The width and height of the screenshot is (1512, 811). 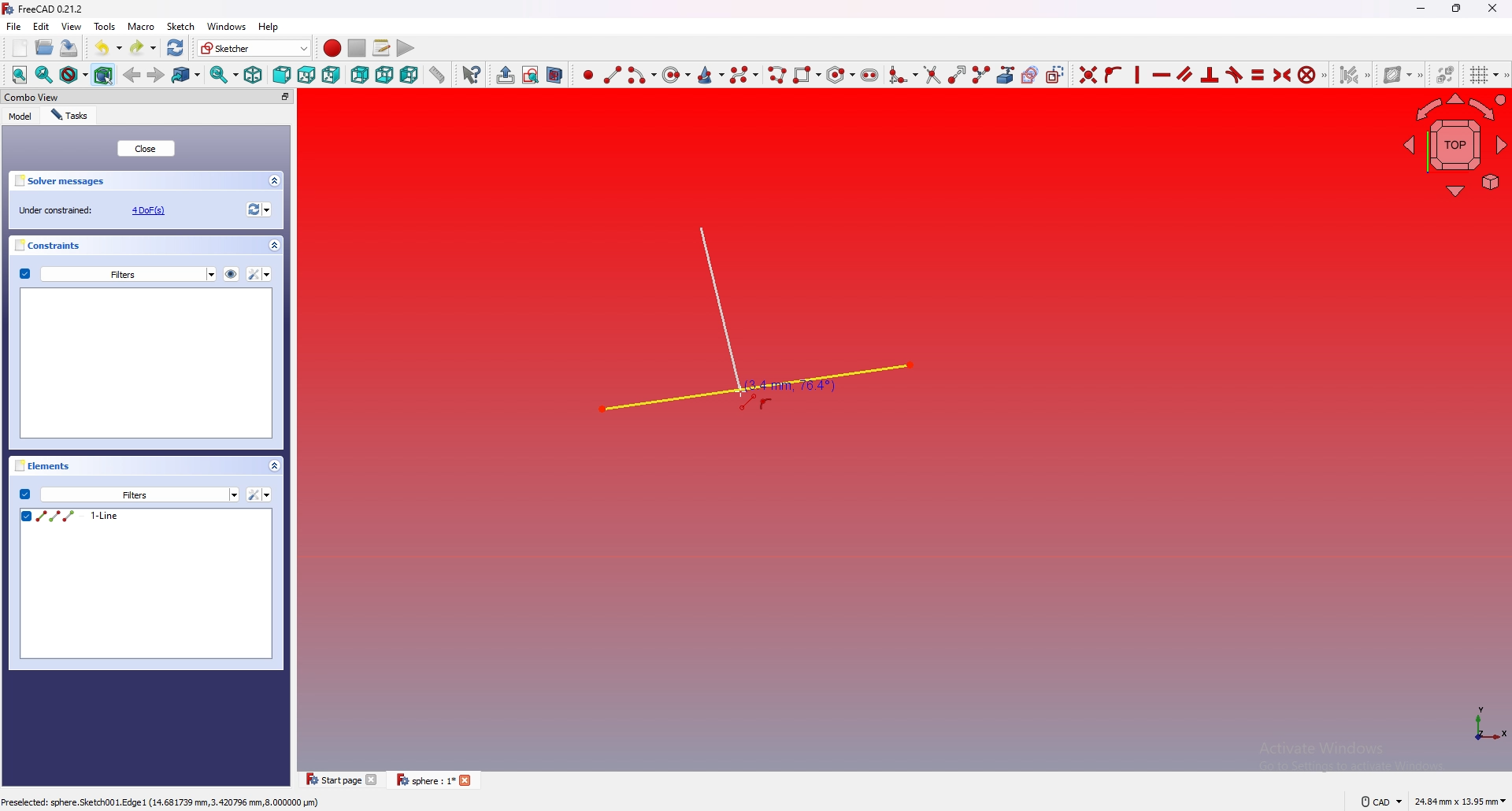 What do you see at coordinates (147, 585) in the screenshot?
I see `T-line` at bounding box center [147, 585].